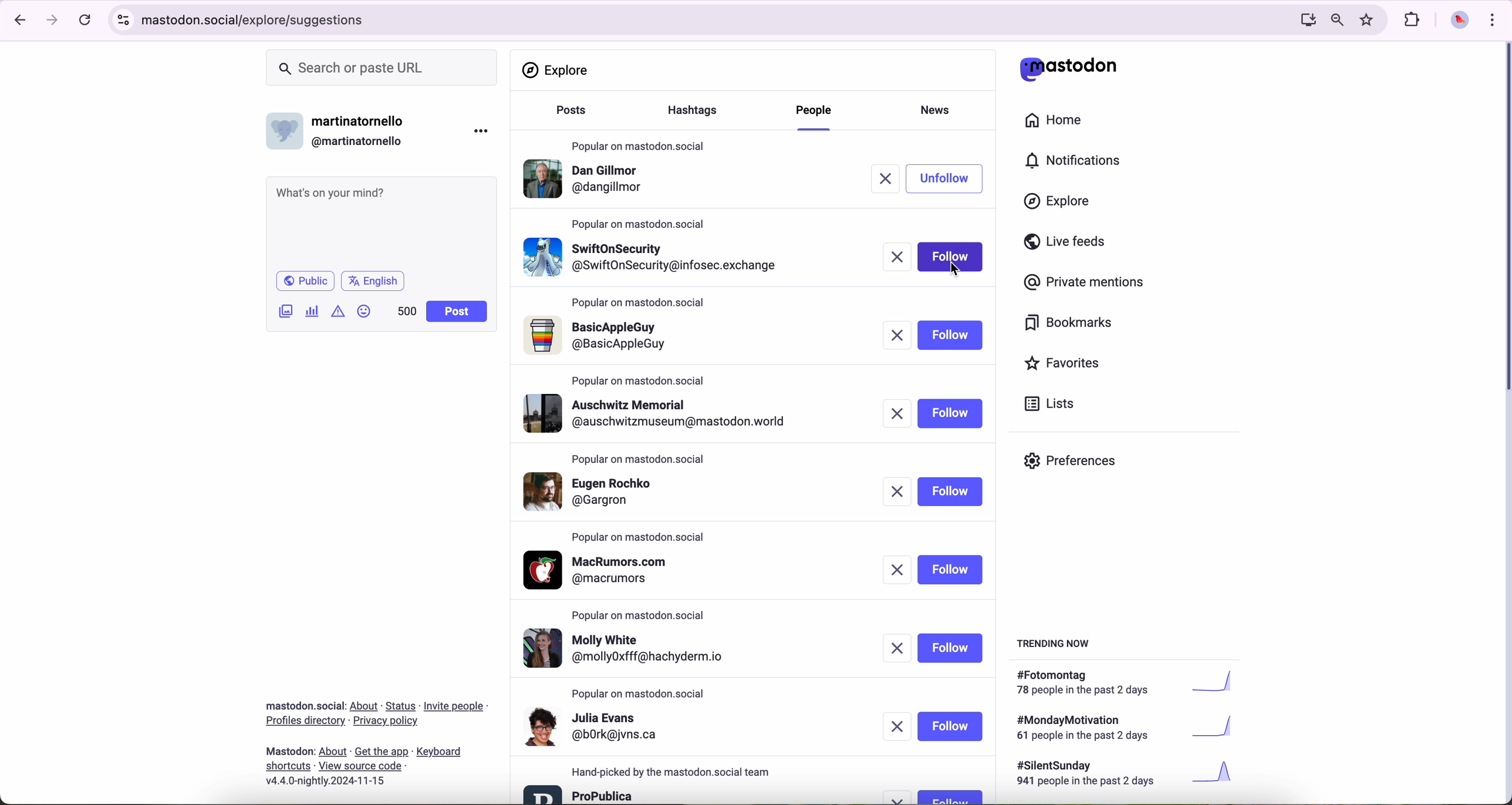 The image size is (1512, 805). What do you see at coordinates (1045, 403) in the screenshot?
I see `lists` at bounding box center [1045, 403].